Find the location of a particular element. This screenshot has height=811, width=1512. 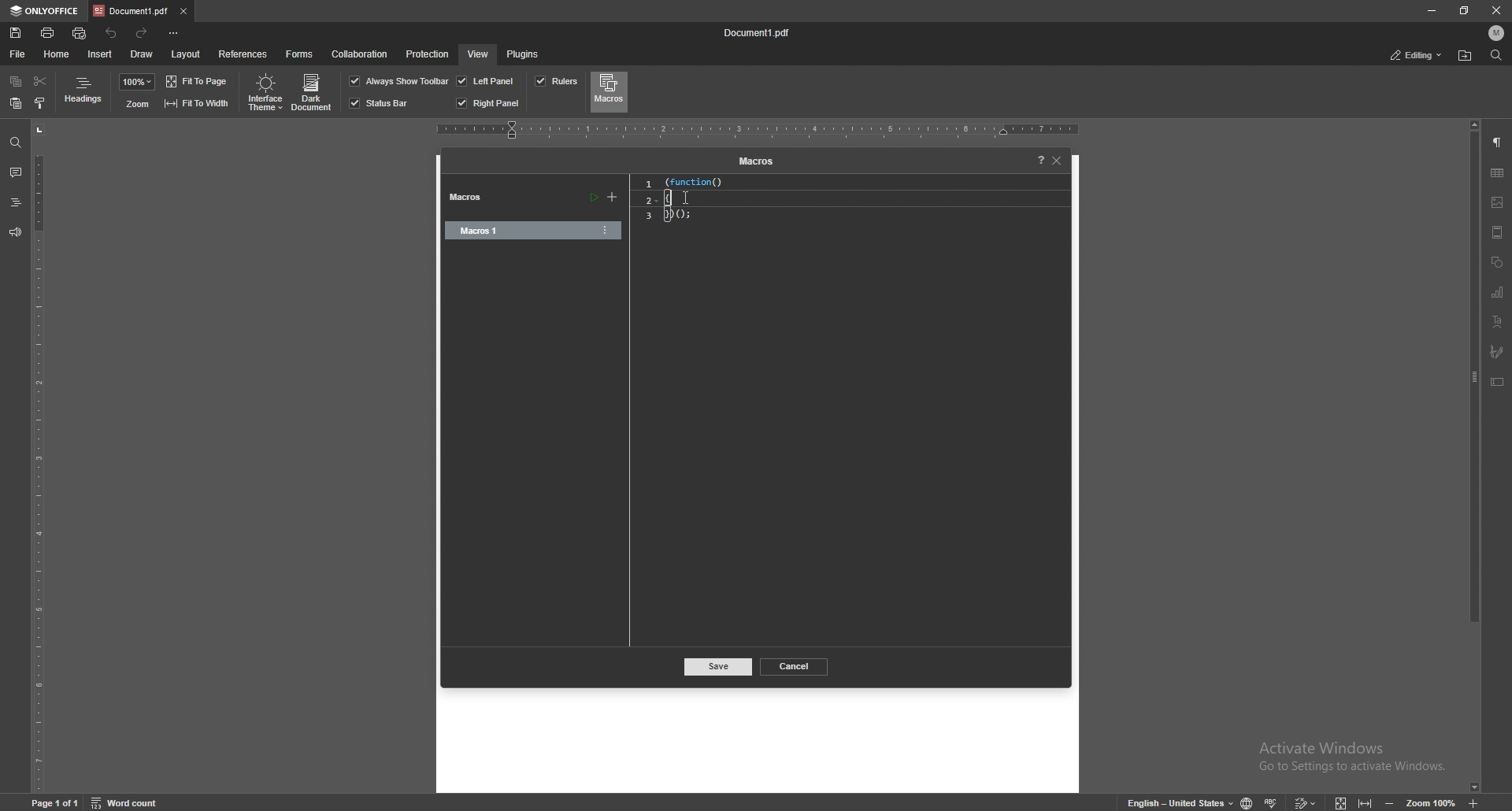

insert is located at coordinates (100, 54).